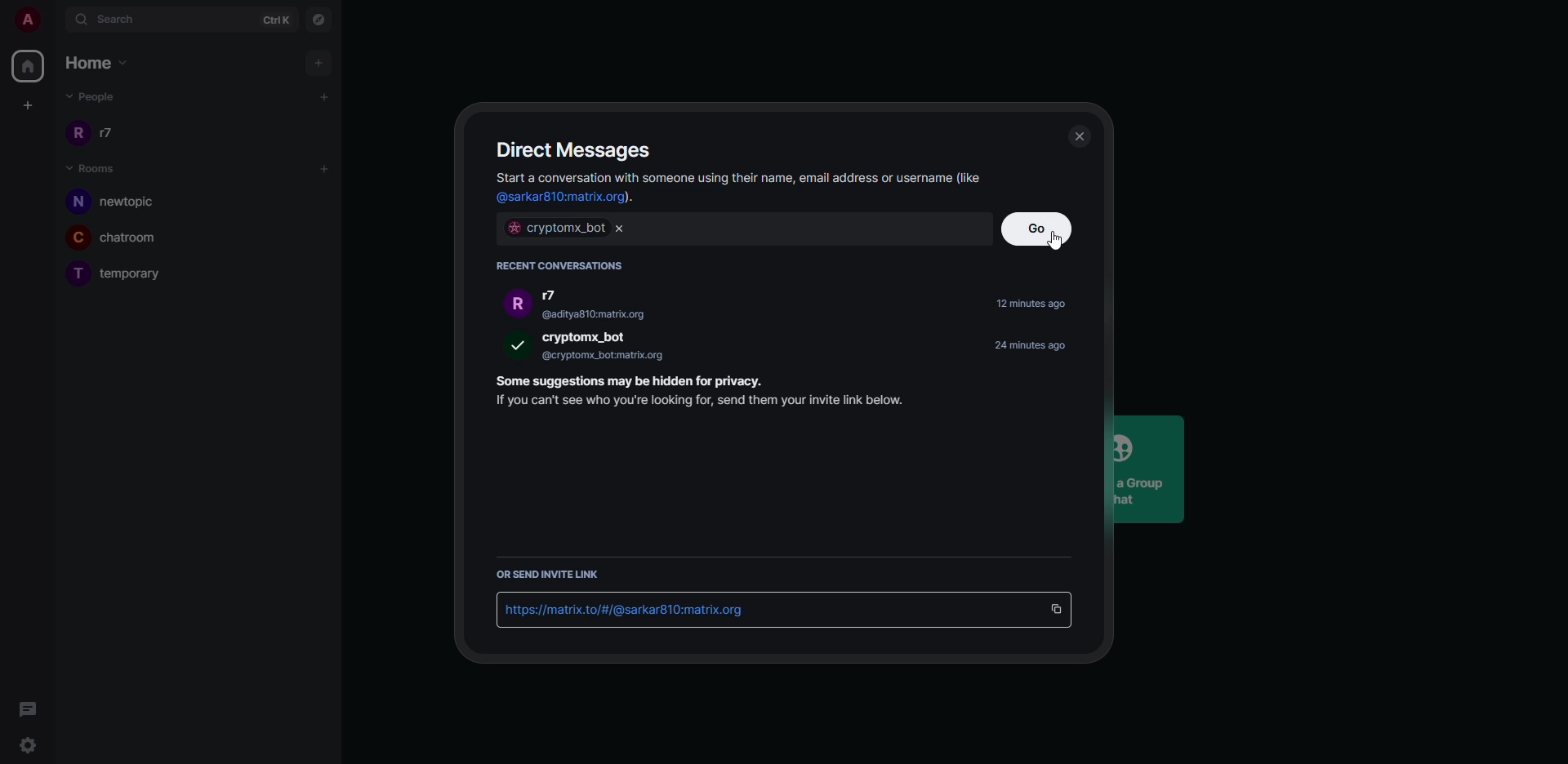 The height and width of the screenshot is (764, 1568). I want to click on id, so click(625, 611).